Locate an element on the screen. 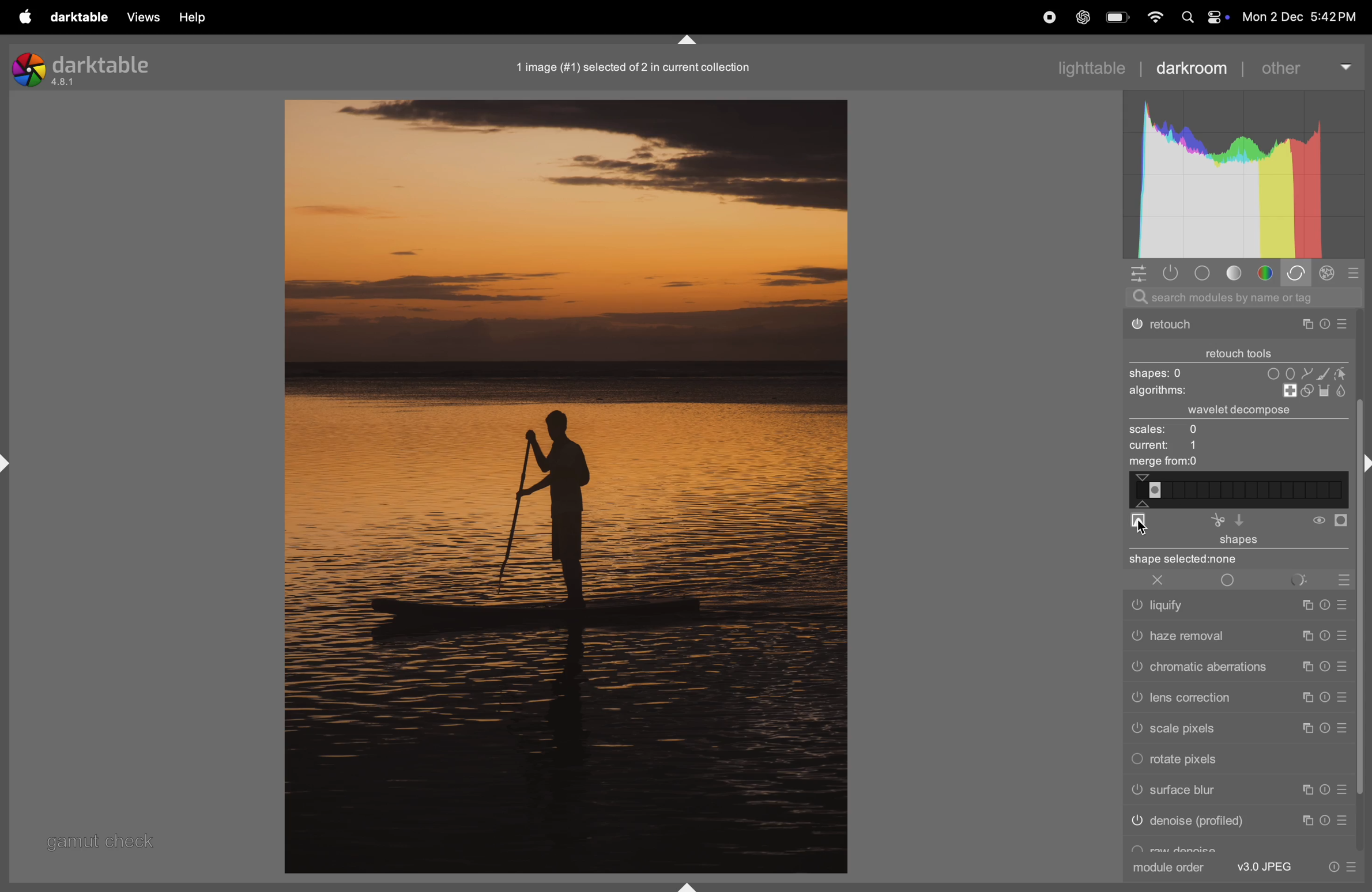  haze removal is located at coordinates (1238, 635).